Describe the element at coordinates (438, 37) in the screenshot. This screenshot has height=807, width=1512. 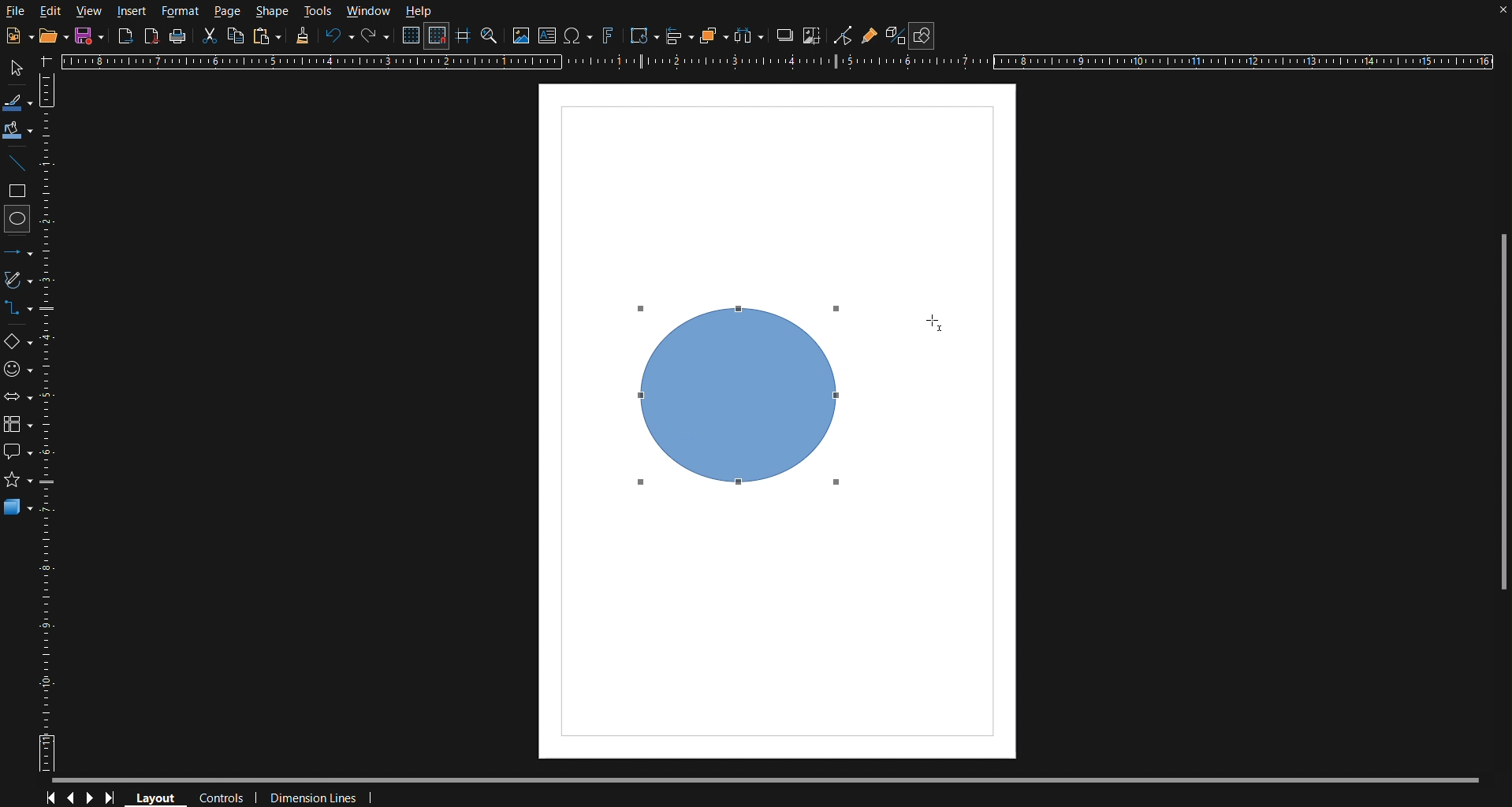
I see `Snap to Grid` at that location.